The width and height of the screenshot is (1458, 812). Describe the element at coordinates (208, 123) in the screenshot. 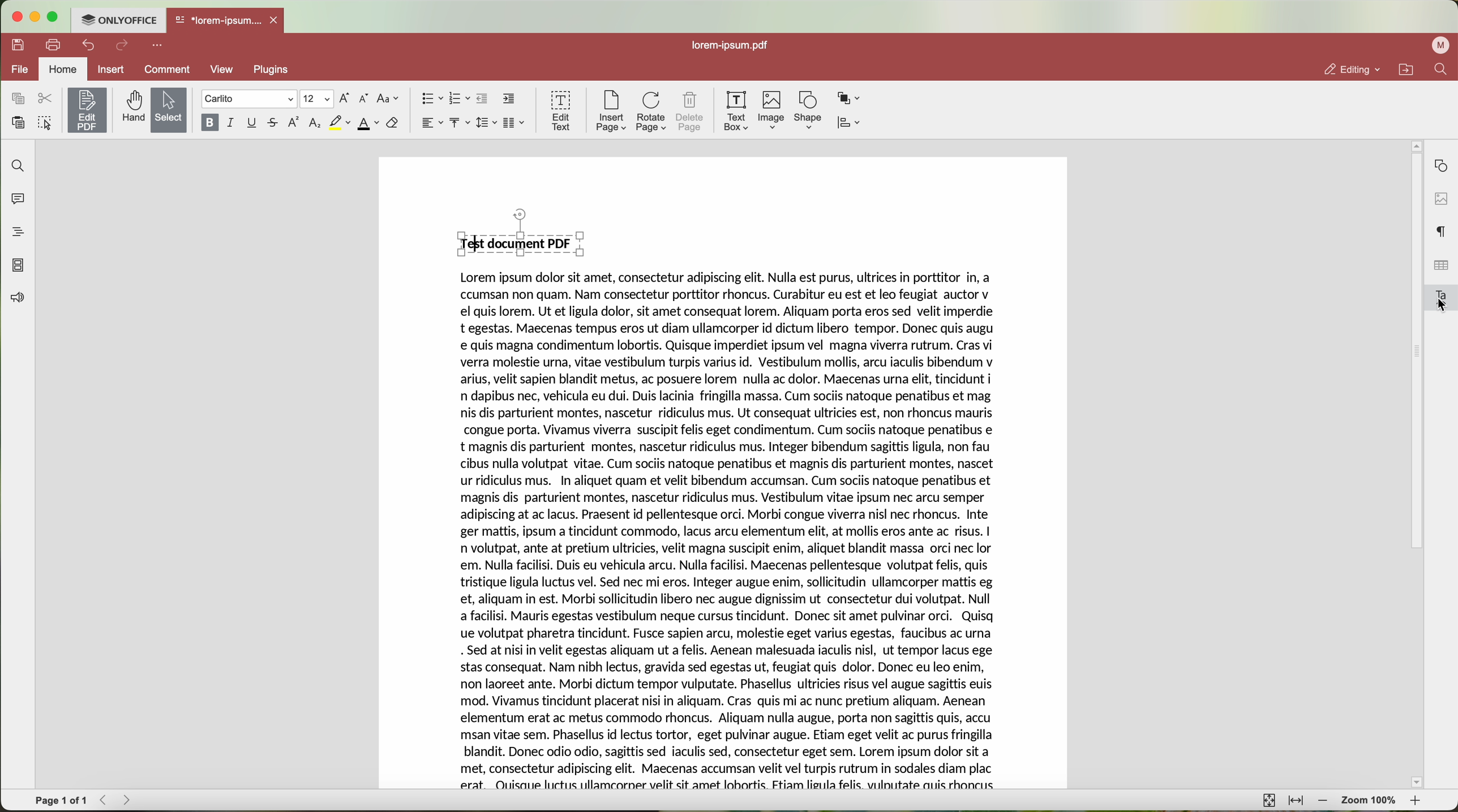

I see `bold` at that location.